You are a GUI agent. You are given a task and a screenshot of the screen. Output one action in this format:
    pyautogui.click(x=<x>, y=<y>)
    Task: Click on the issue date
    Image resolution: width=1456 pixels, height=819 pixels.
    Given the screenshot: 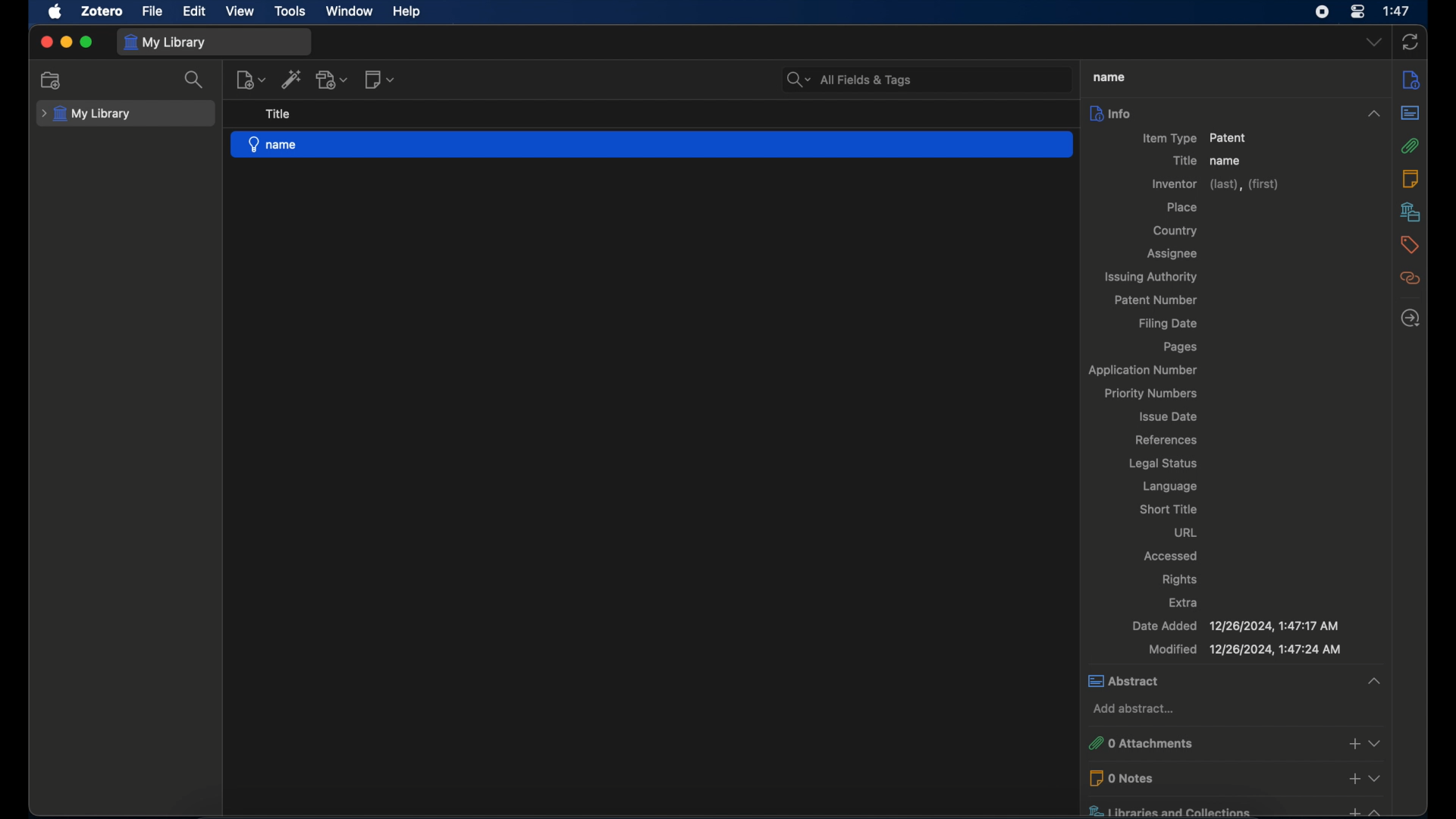 What is the action you would take?
    pyautogui.click(x=1166, y=416)
    